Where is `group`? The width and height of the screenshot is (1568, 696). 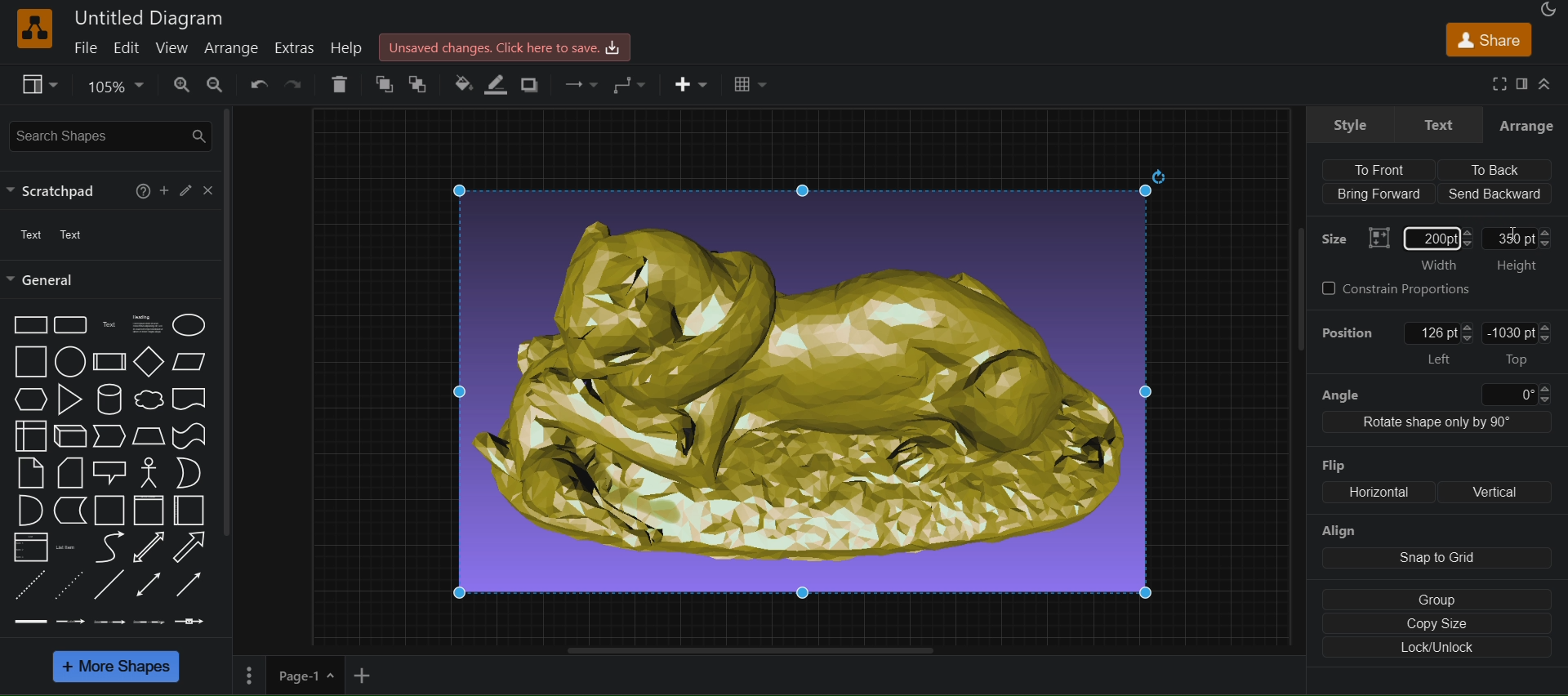
group is located at coordinates (1432, 599).